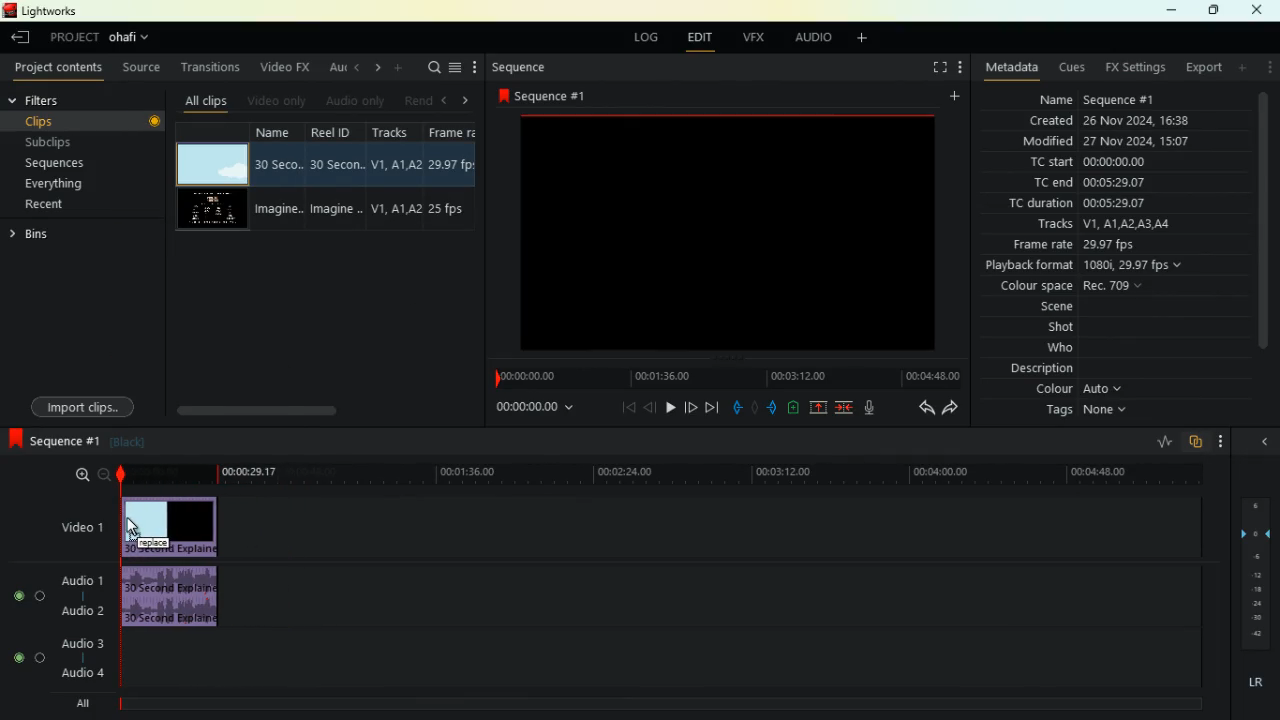 This screenshot has width=1280, height=720. I want to click on 26 Nov 2024 16:38, so click(1141, 121).